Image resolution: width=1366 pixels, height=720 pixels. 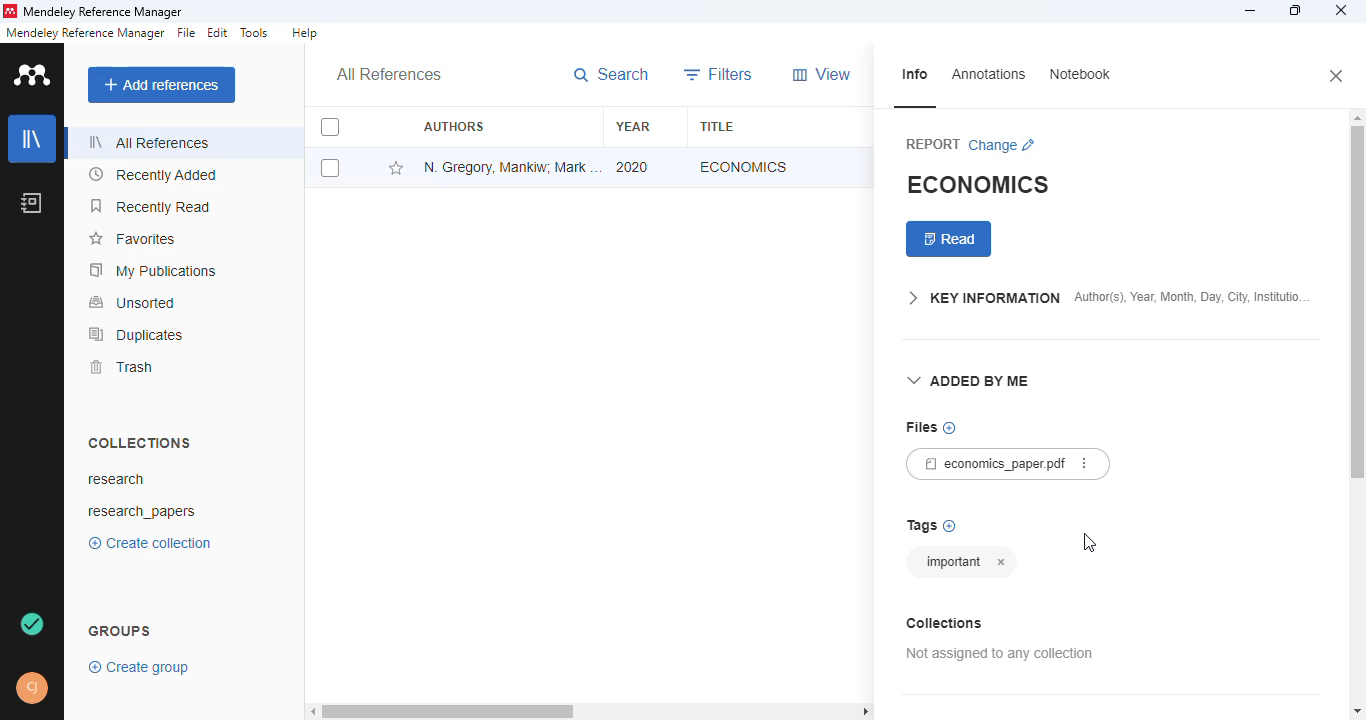 I want to click on added by me, so click(x=969, y=382).